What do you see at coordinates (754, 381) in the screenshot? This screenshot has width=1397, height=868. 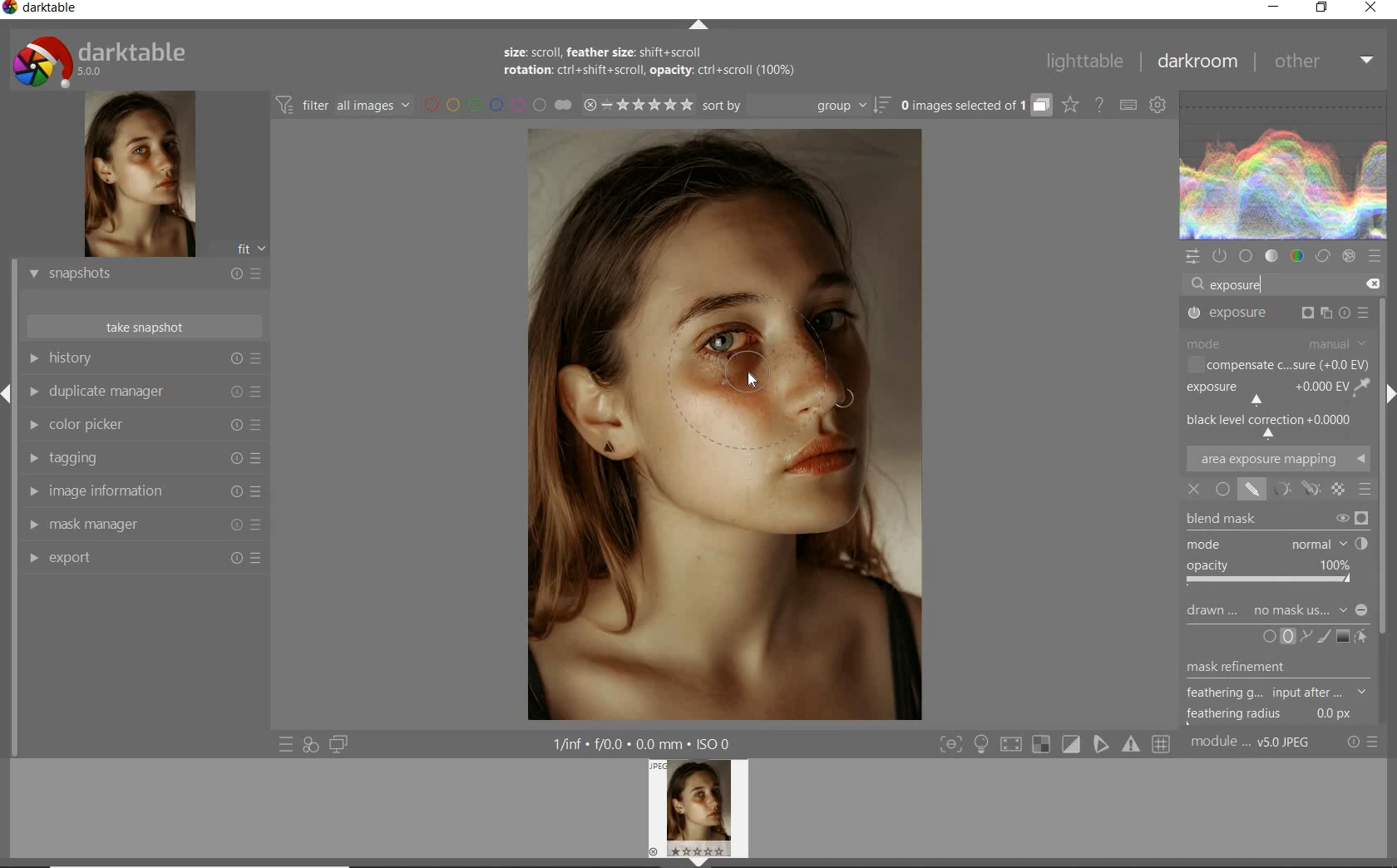 I see `CURSOR` at bounding box center [754, 381].